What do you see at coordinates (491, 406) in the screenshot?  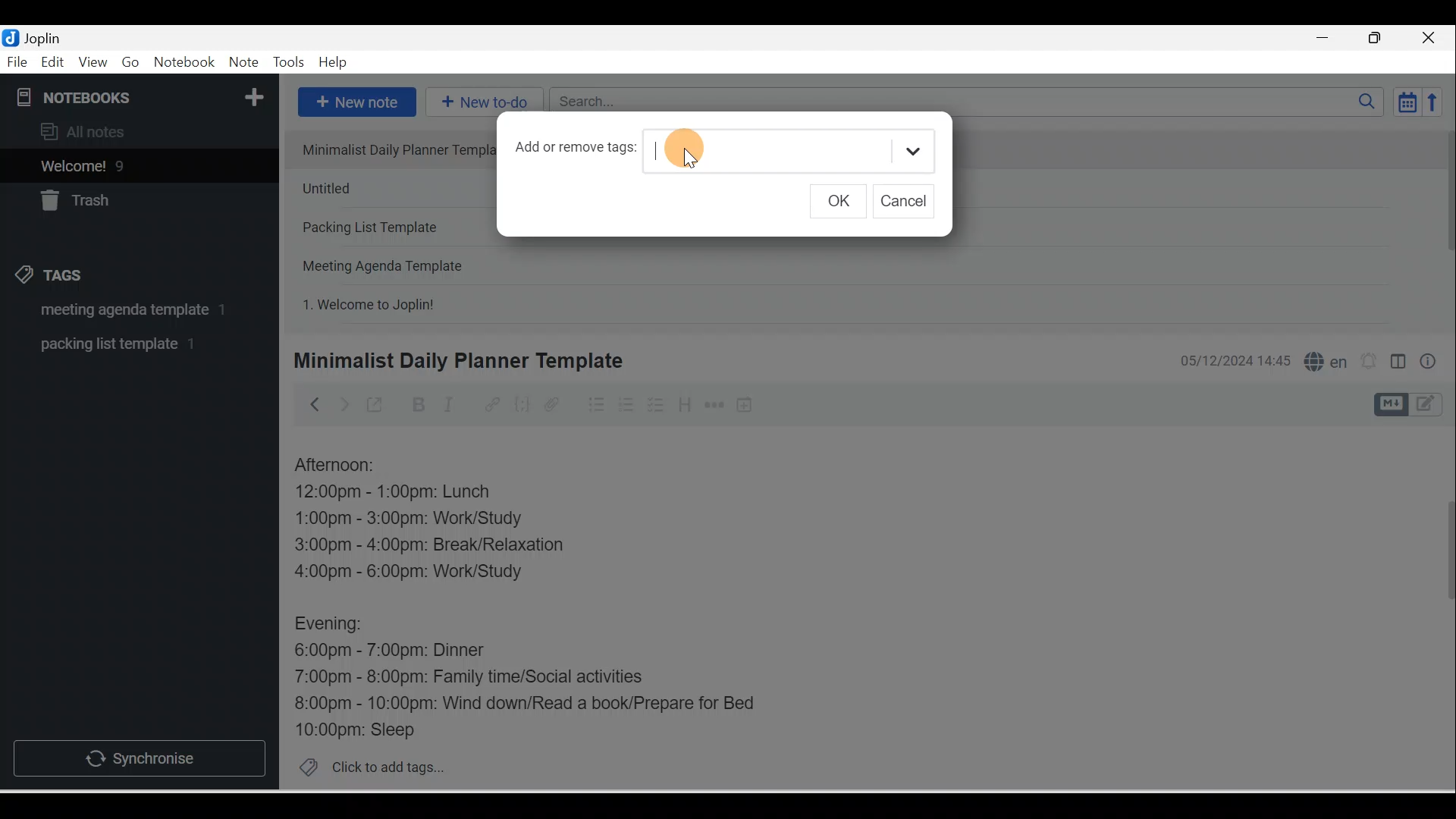 I see `Hyperlink` at bounding box center [491, 406].